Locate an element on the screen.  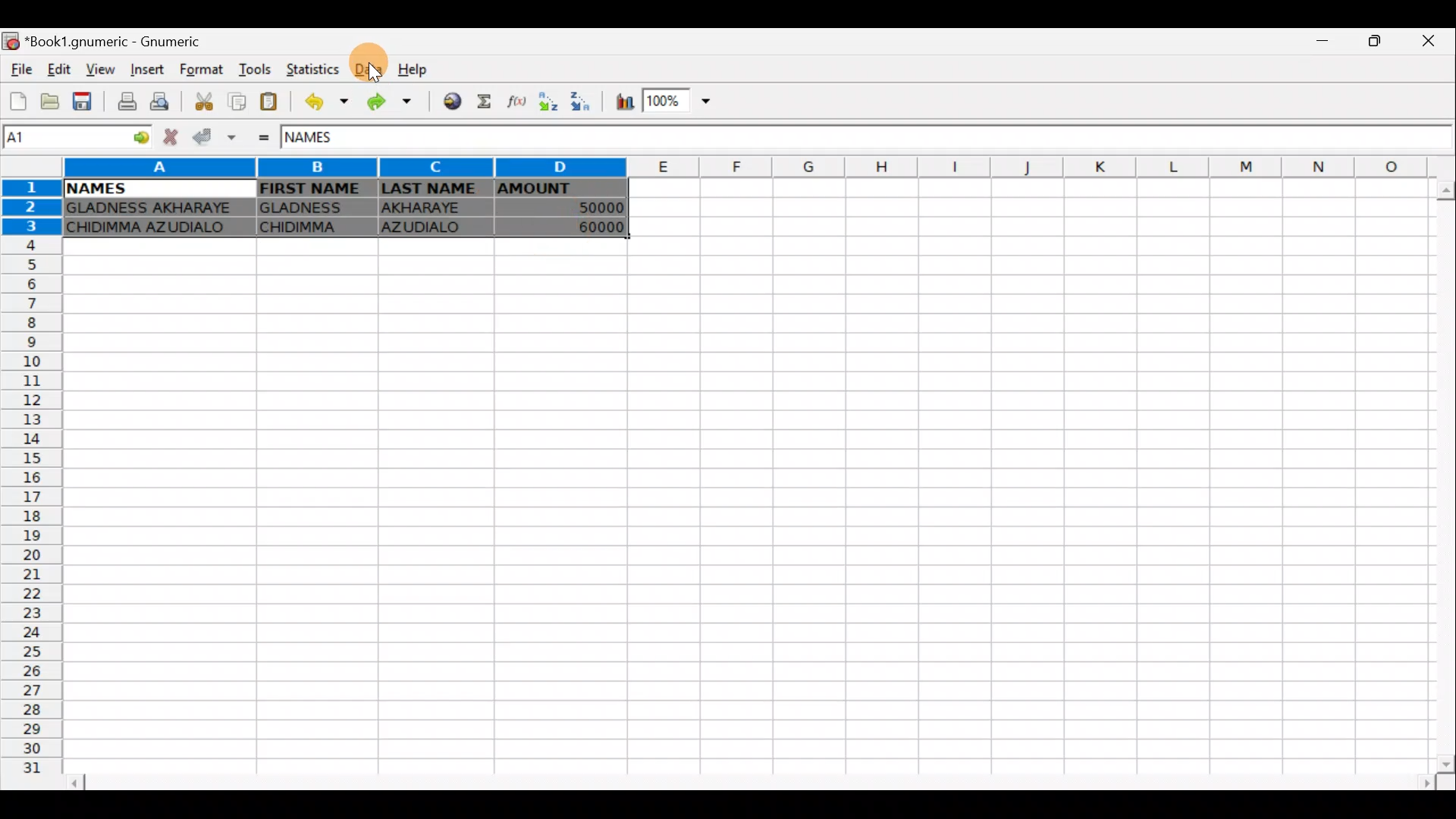
Accept change is located at coordinates (212, 137).